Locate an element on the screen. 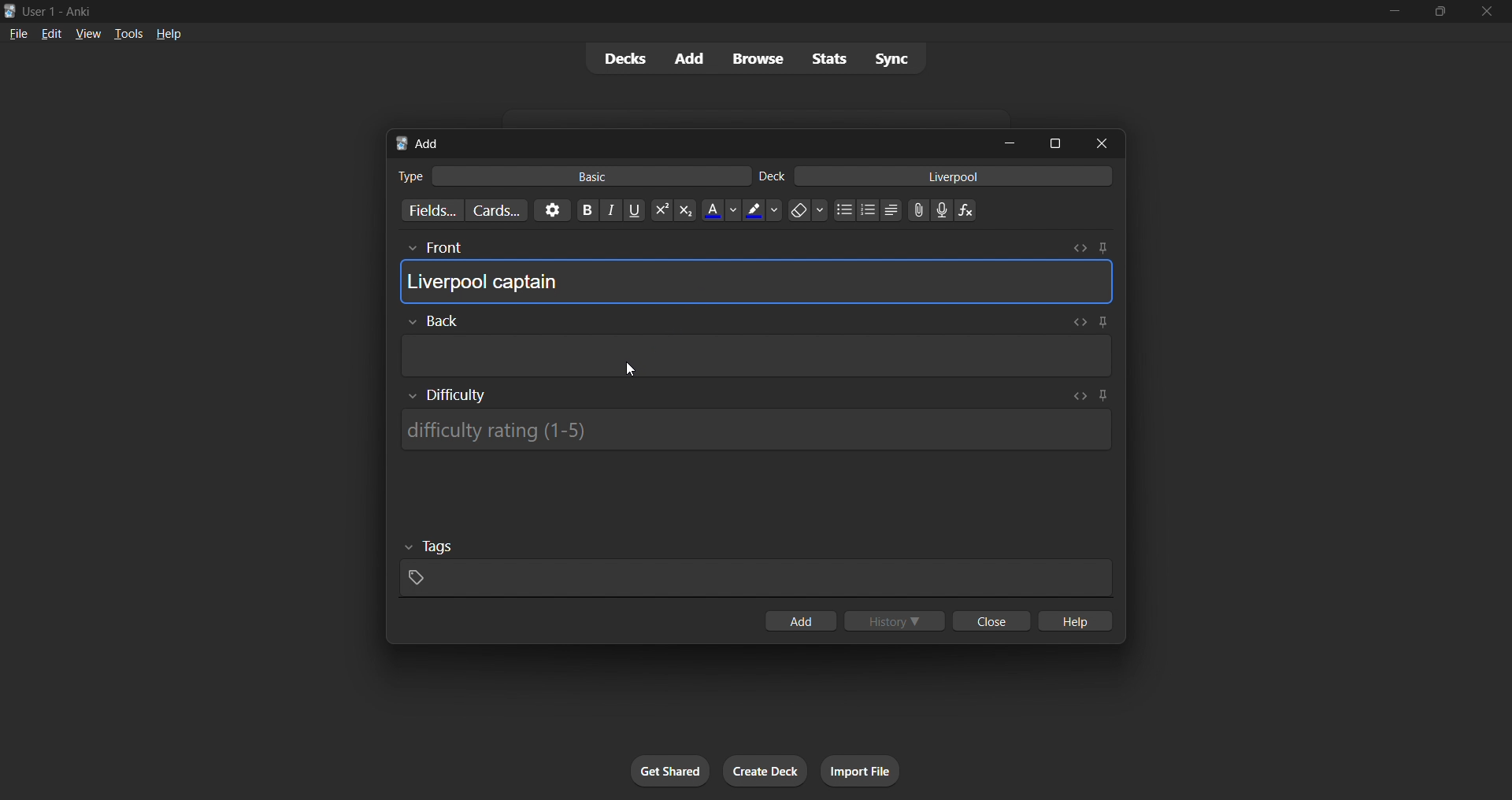  import file is located at coordinates (860, 771).